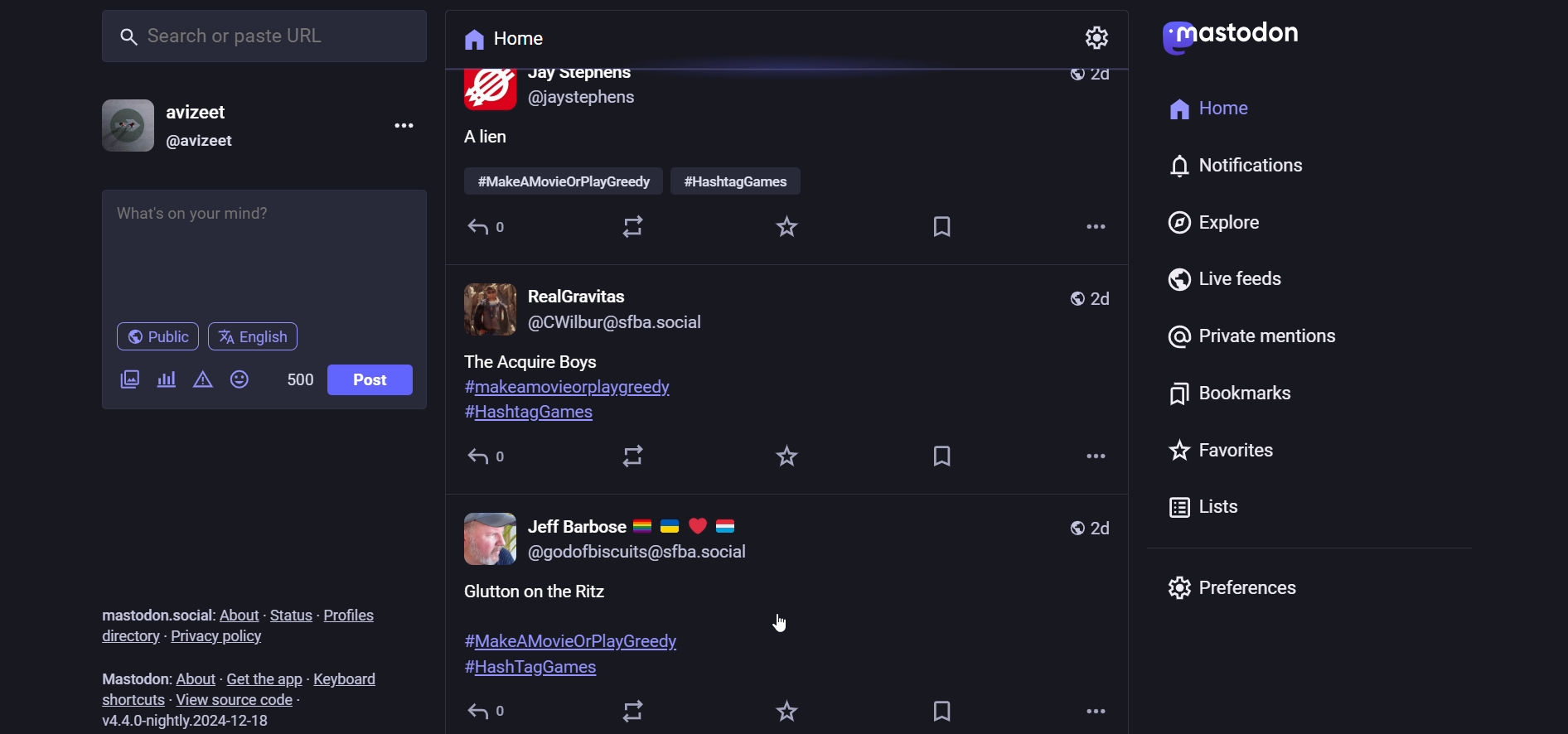  Describe the element at coordinates (553, 89) in the screenshot. I see `profile` at that location.